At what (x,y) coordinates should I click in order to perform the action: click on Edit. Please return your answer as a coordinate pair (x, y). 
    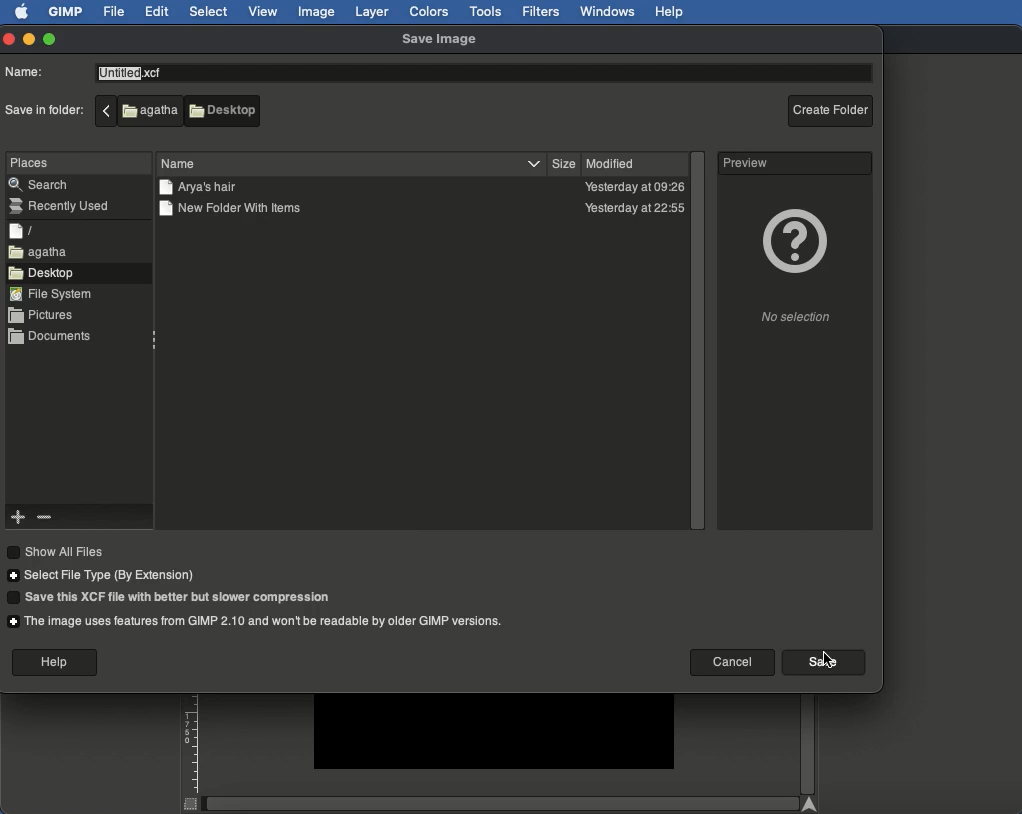
    Looking at the image, I should click on (158, 11).